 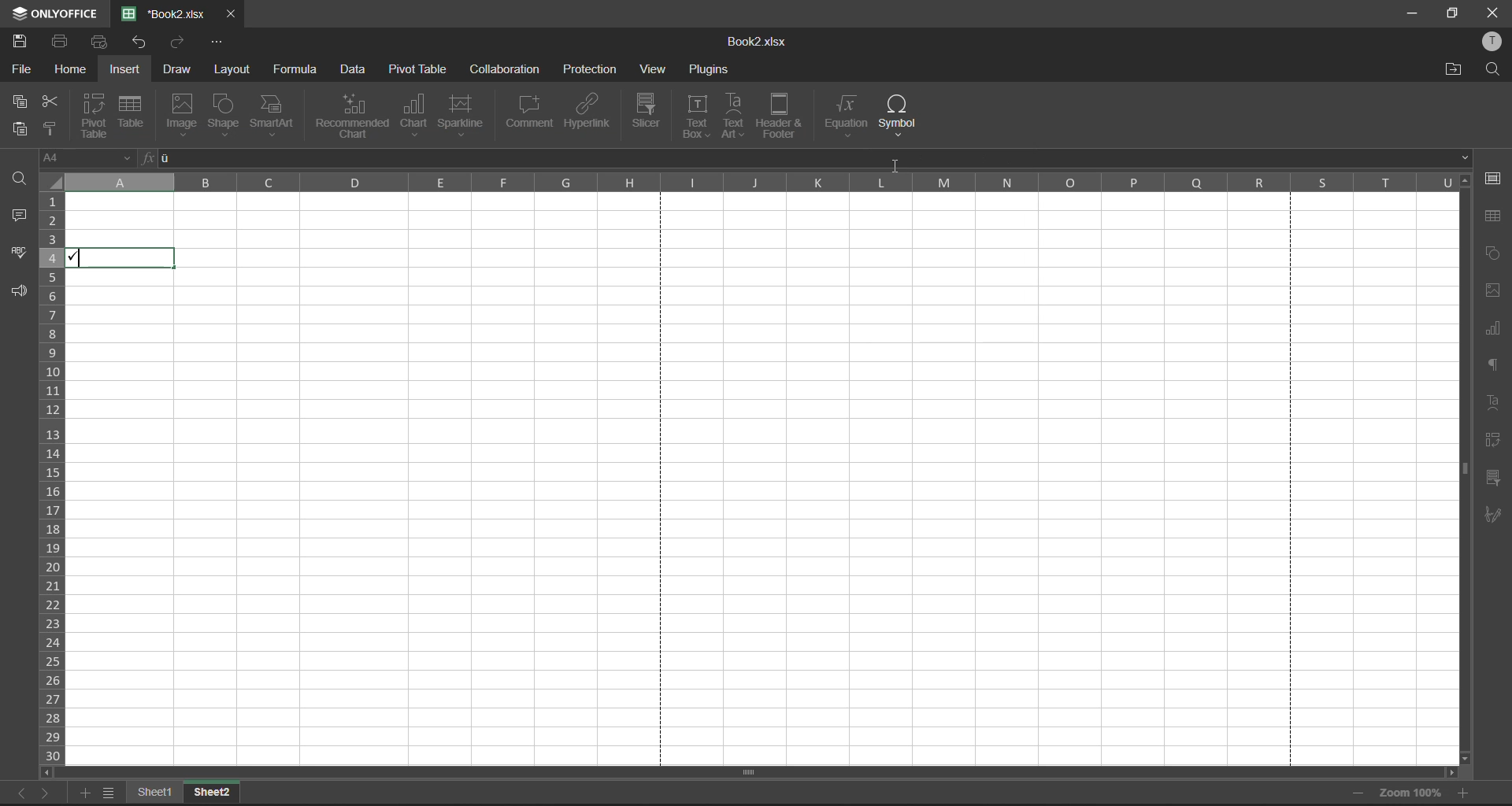 What do you see at coordinates (23, 42) in the screenshot?
I see `save` at bounding box center [23, 42].